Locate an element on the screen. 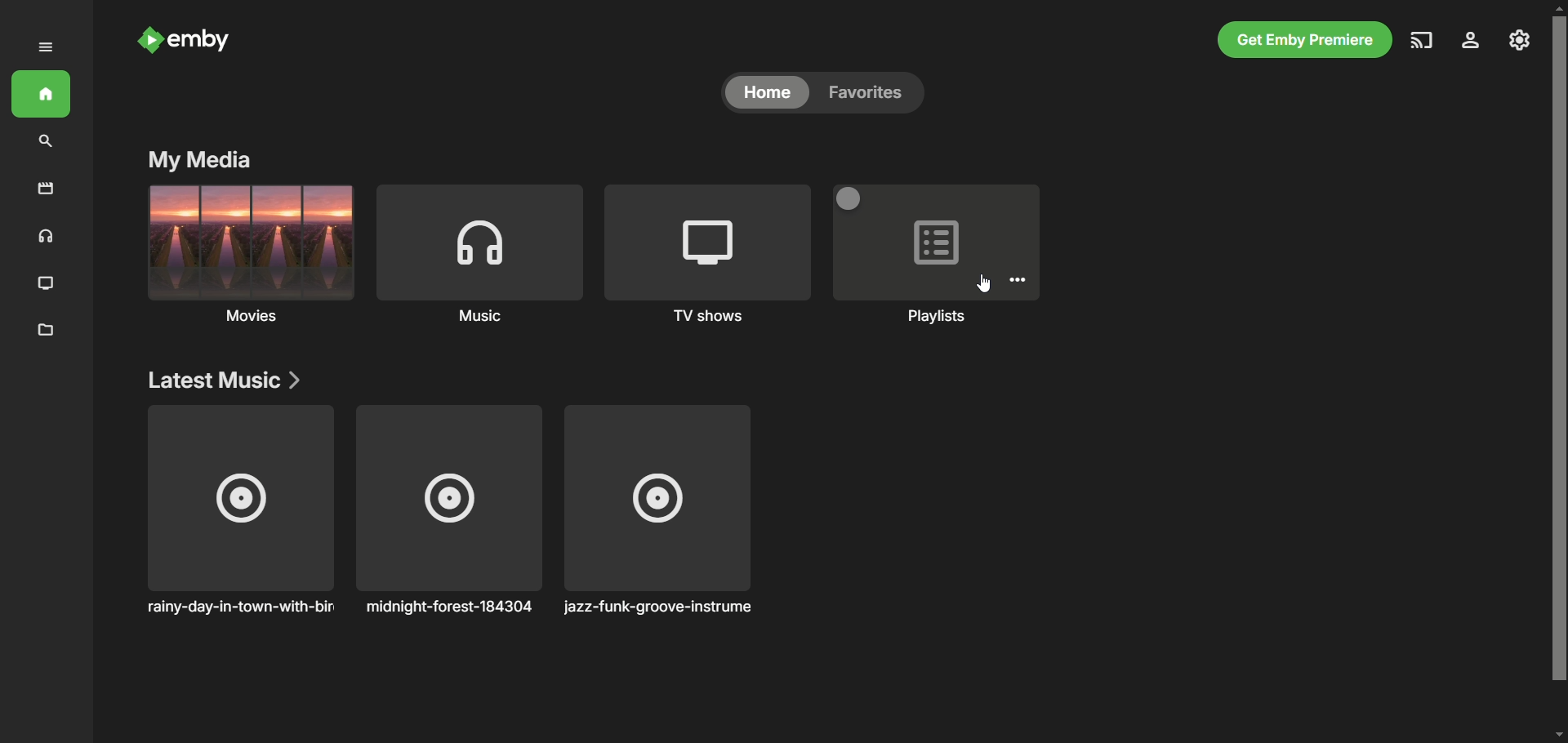 Image resolution: width=1568 pixels, height=743 pixels. music is located at coordinates (43, 238).